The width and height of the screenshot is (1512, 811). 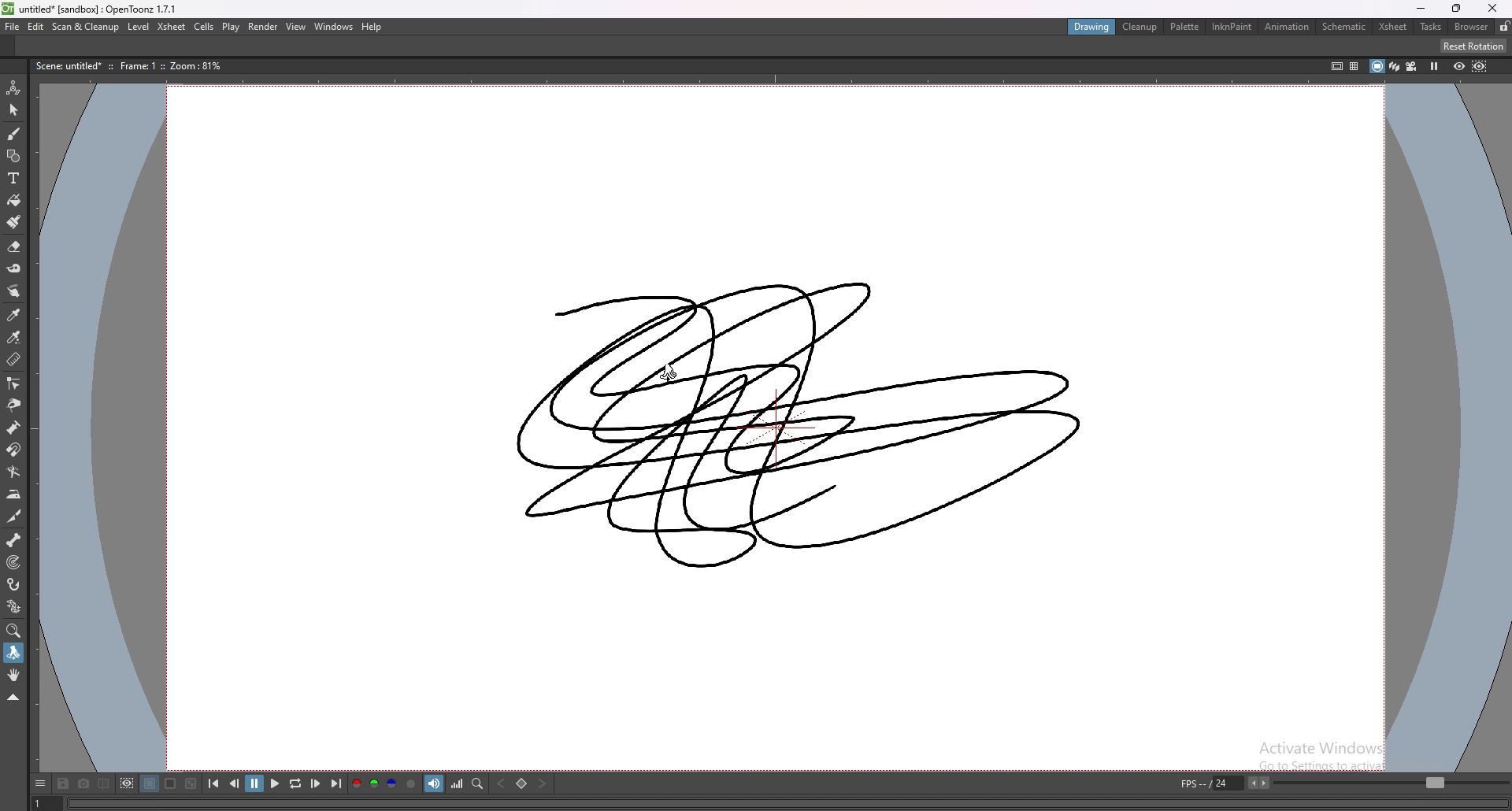 What do you see at coordinates (14, 338) in the screenshot?
I see `rgb picker` at bounding box center [14, 338].